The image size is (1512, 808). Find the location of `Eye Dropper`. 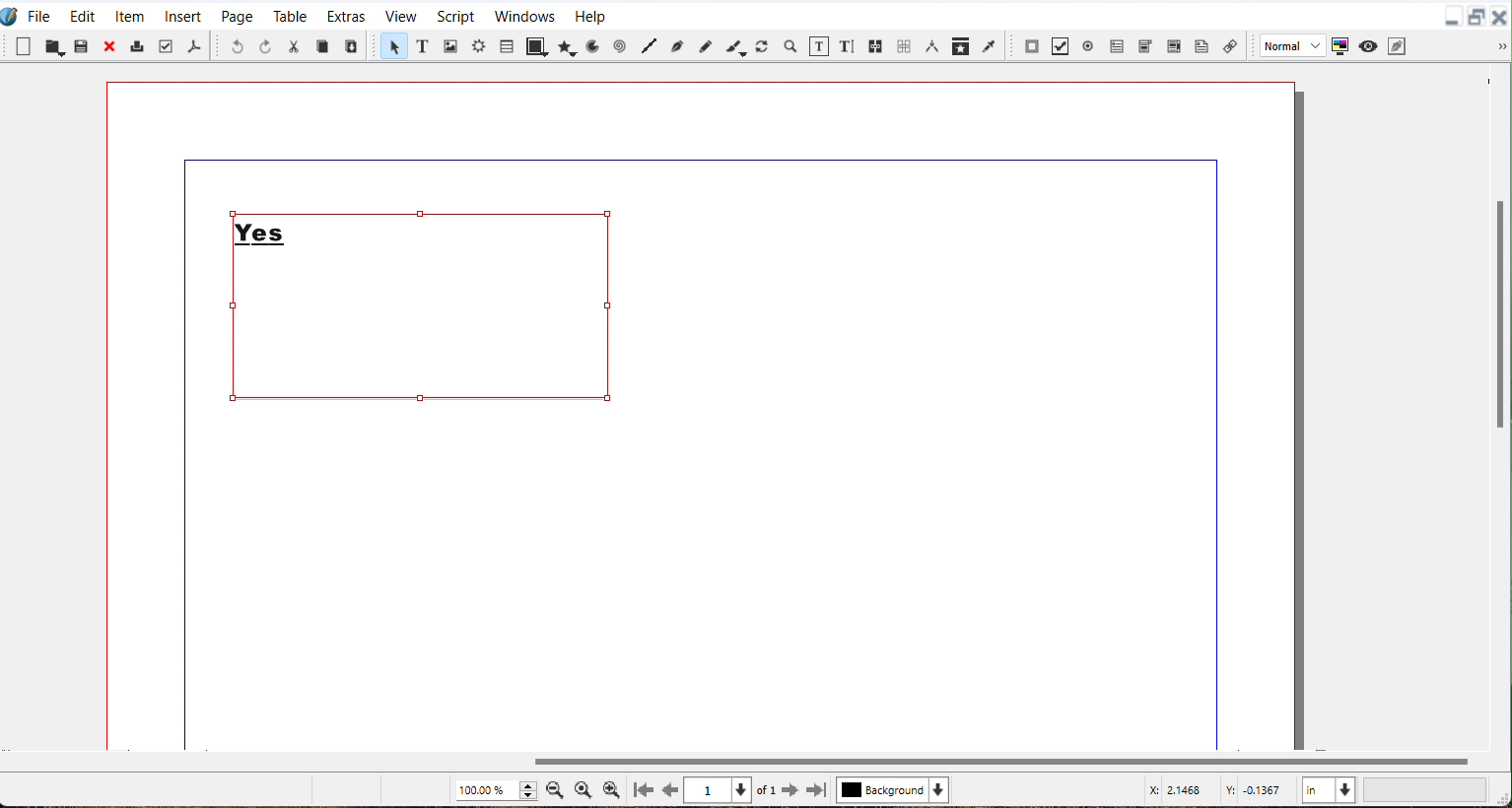

Eye Dropper is located at coordinates (991, 44).